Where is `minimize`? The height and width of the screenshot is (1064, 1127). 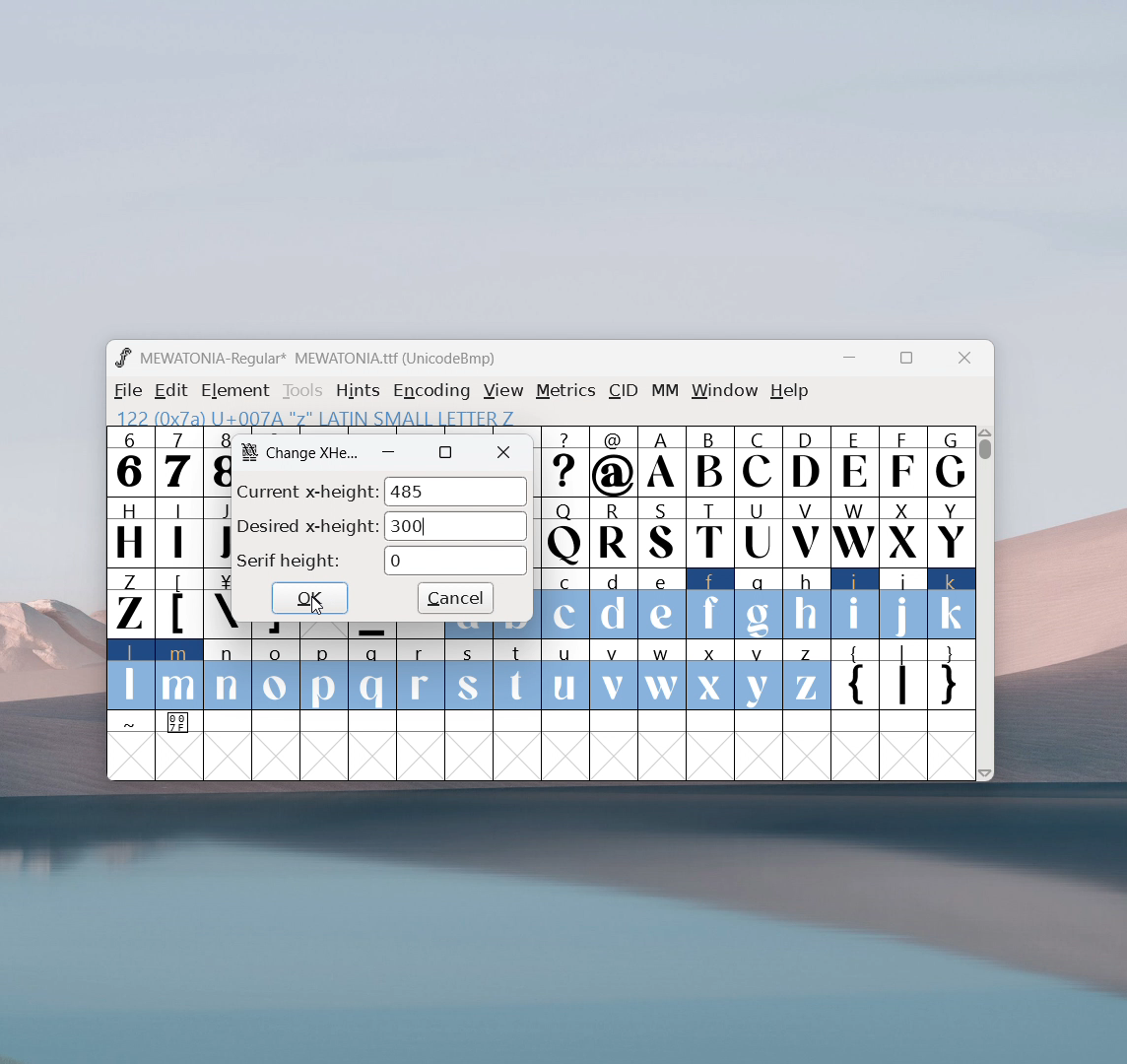 minimize is located at coordinates (389, 452).